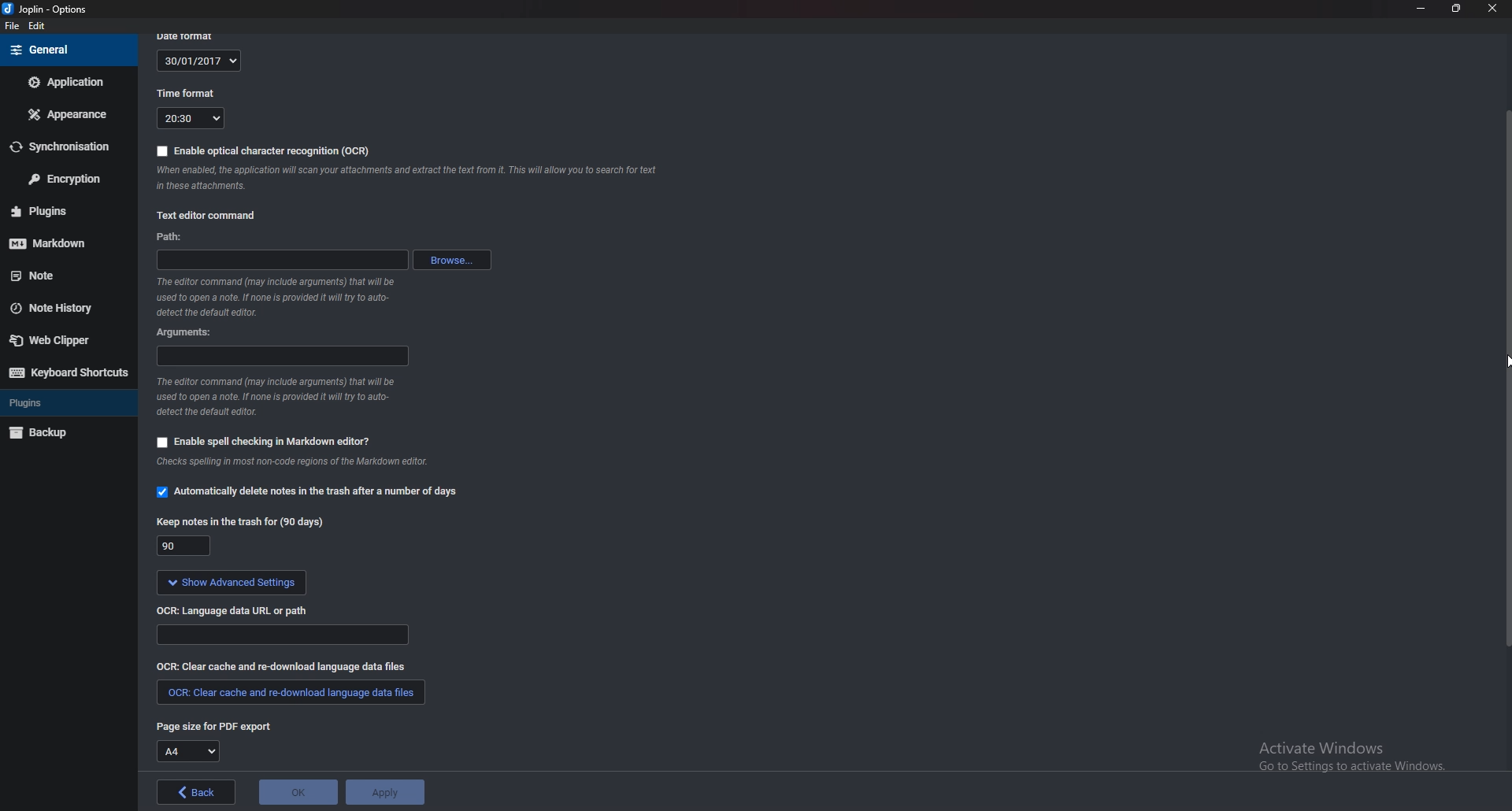  What do you see at coordinates (59, 211) in the screenshot?
I see `Plugins` at bounding box center [59, 211].